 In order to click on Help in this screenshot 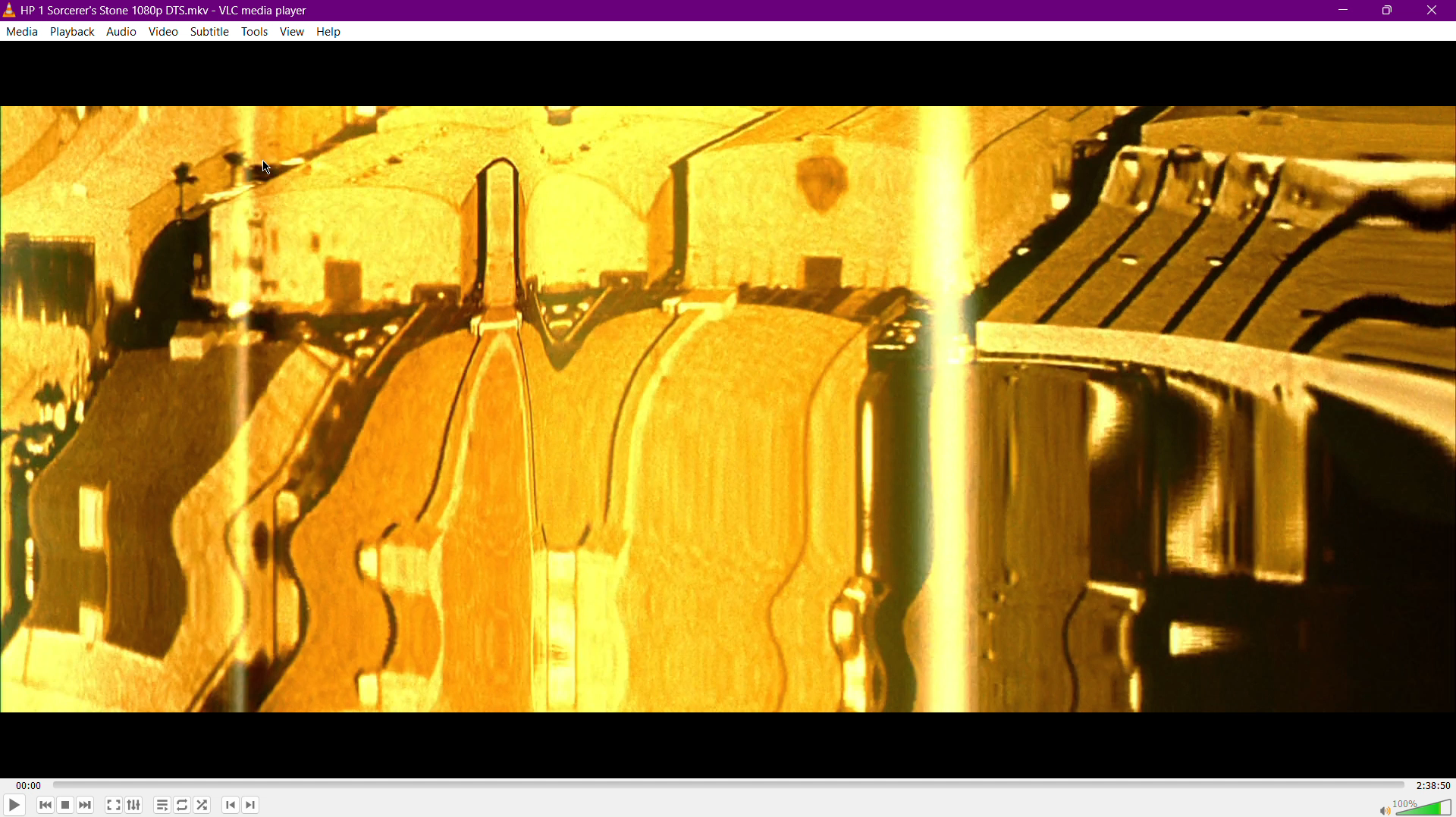, I will do `click(328, 31)`.